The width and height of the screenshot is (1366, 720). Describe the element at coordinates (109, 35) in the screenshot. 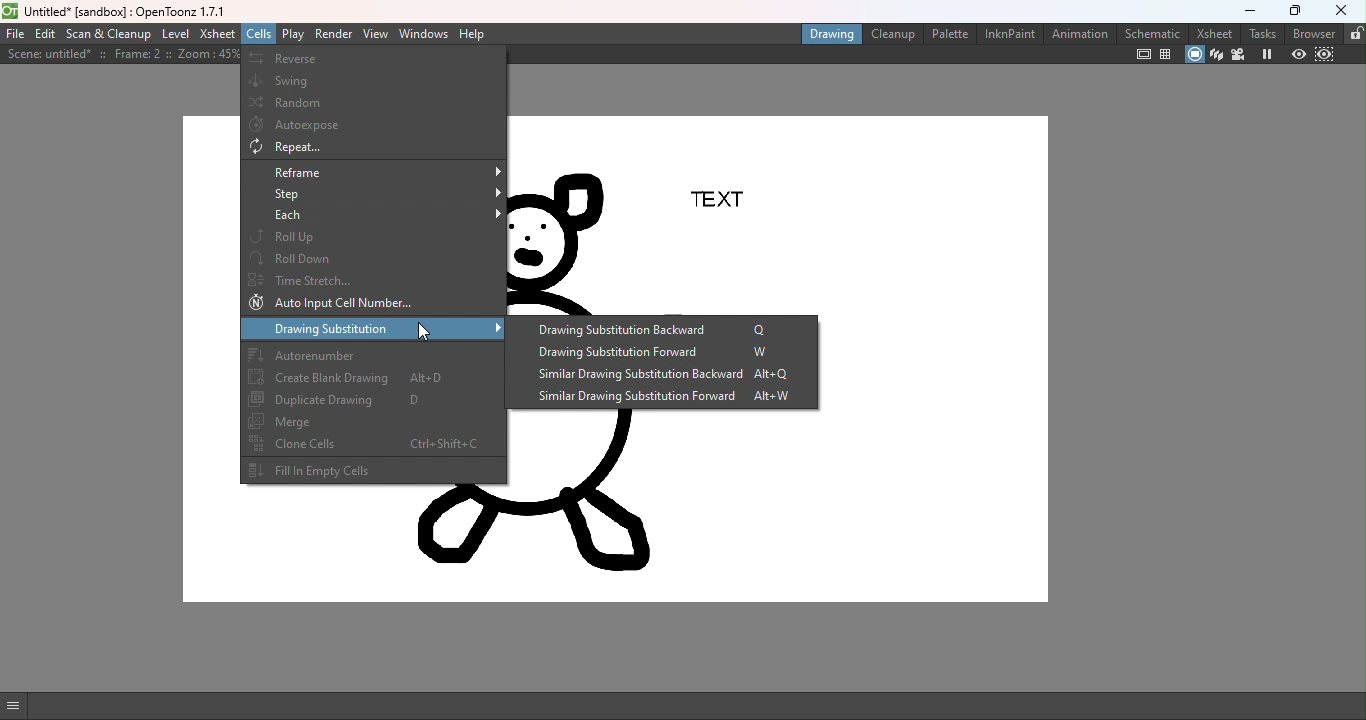

I see `Scan & Cleanup` at that location.